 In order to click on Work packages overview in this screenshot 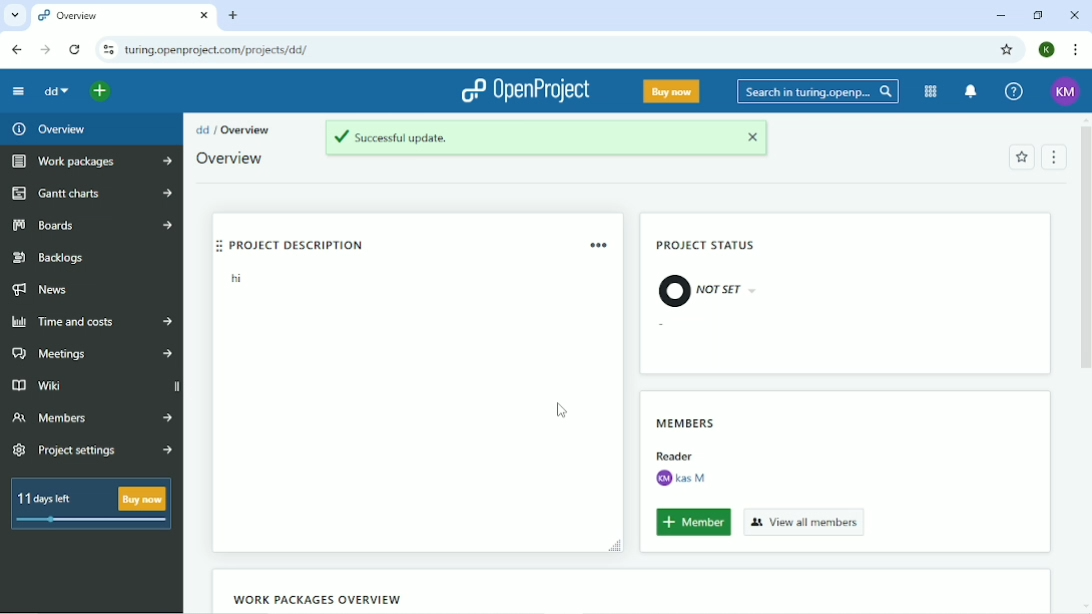, I will do `click(313, 599)`.